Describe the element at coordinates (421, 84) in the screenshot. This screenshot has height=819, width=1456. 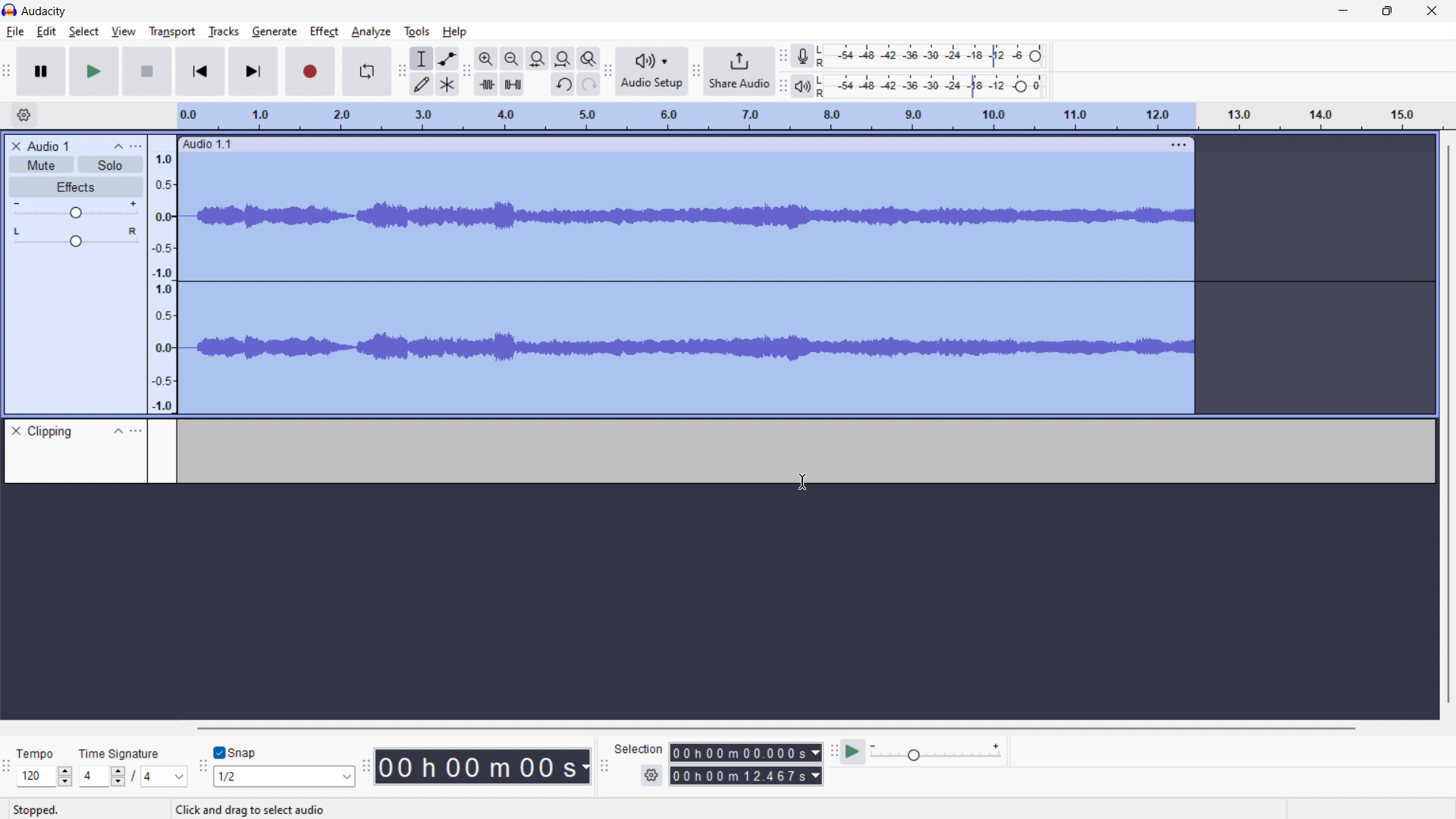
I see `draw tool` at that location.